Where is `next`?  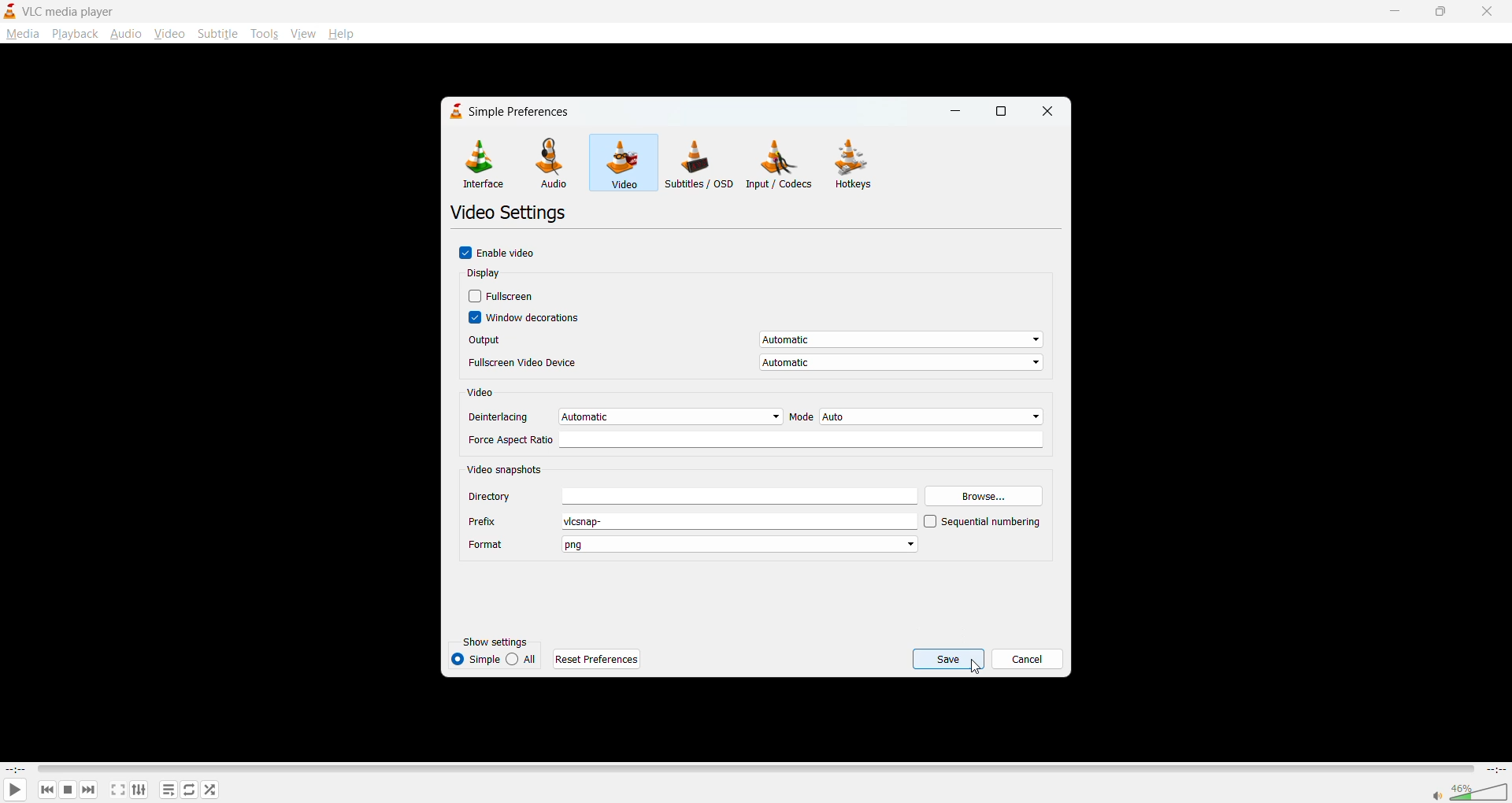 next is located at coordinates (86, 790).